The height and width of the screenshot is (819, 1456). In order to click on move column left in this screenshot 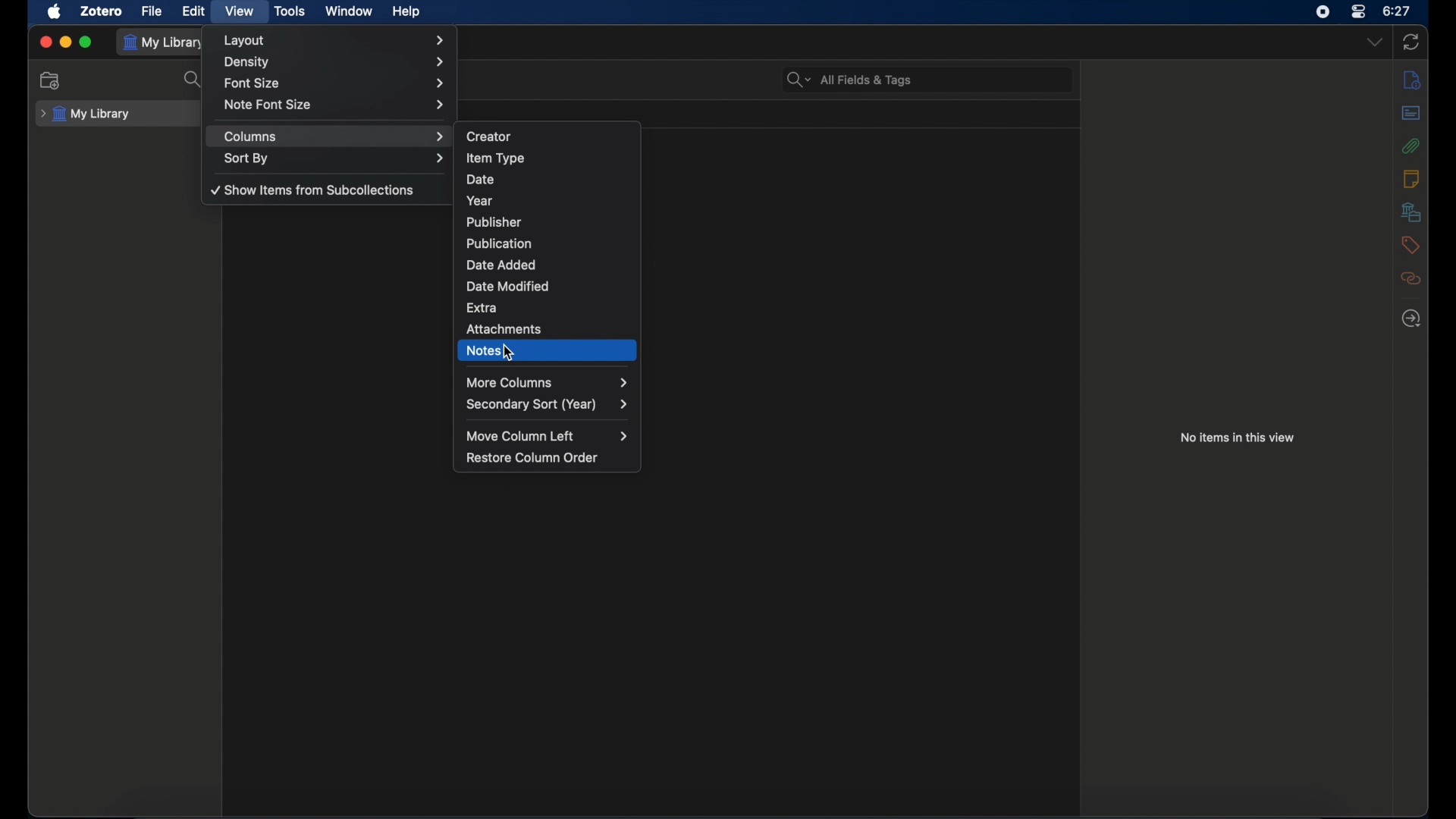, I will do `click(547, 436)`.